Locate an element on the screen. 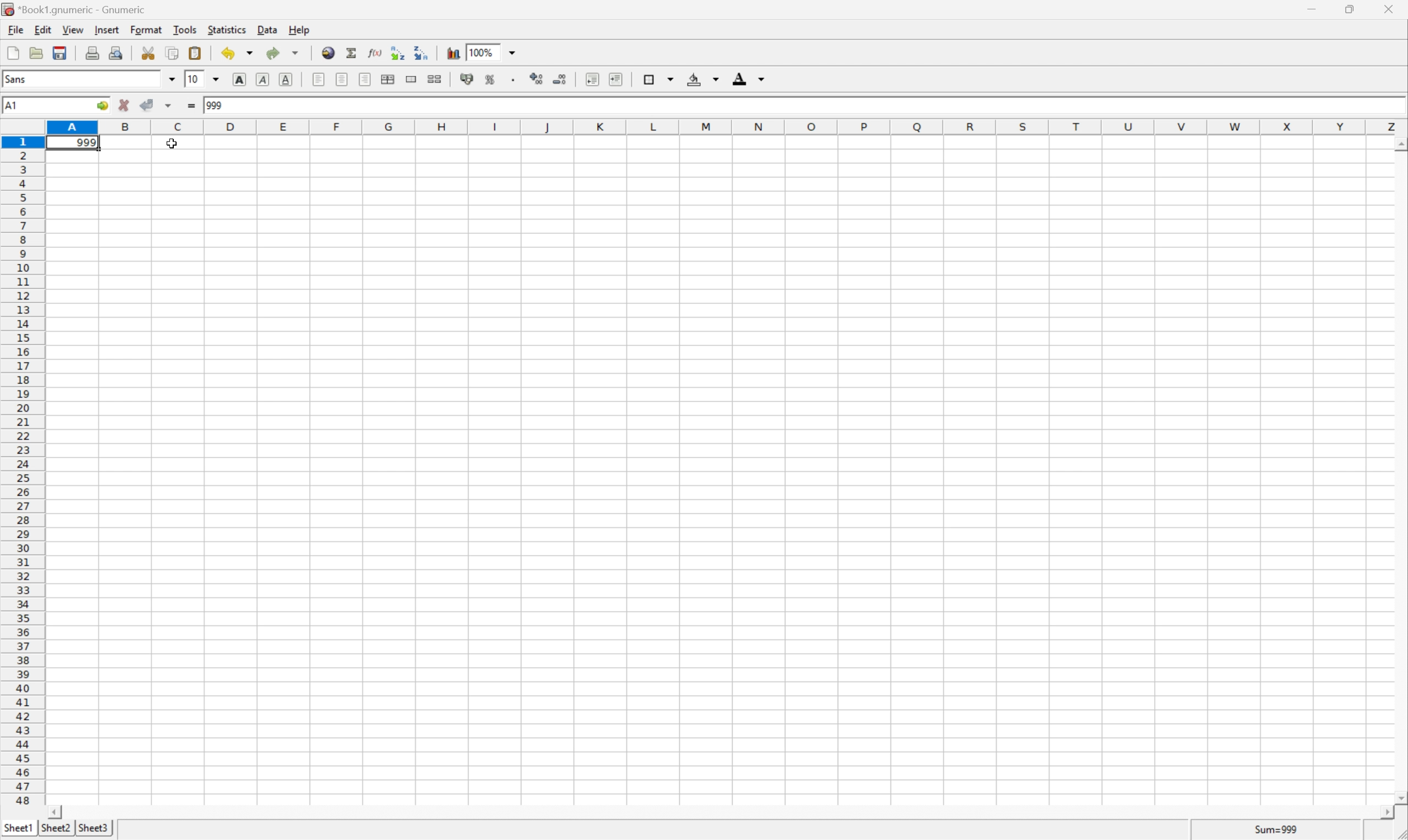 The image size is (1408, 840). statistics is located at coordinates (229, 29).